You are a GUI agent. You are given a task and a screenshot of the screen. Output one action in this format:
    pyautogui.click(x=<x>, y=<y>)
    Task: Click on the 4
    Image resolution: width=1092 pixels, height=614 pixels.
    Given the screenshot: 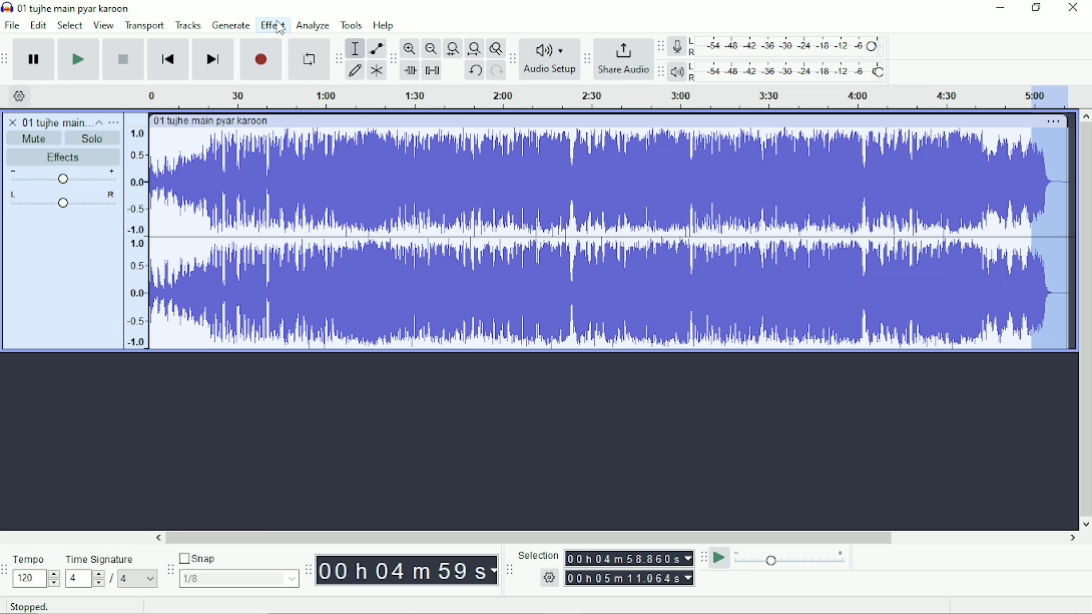 What is the action you would take?
    pyautogui.click(x=84, y=580)
    